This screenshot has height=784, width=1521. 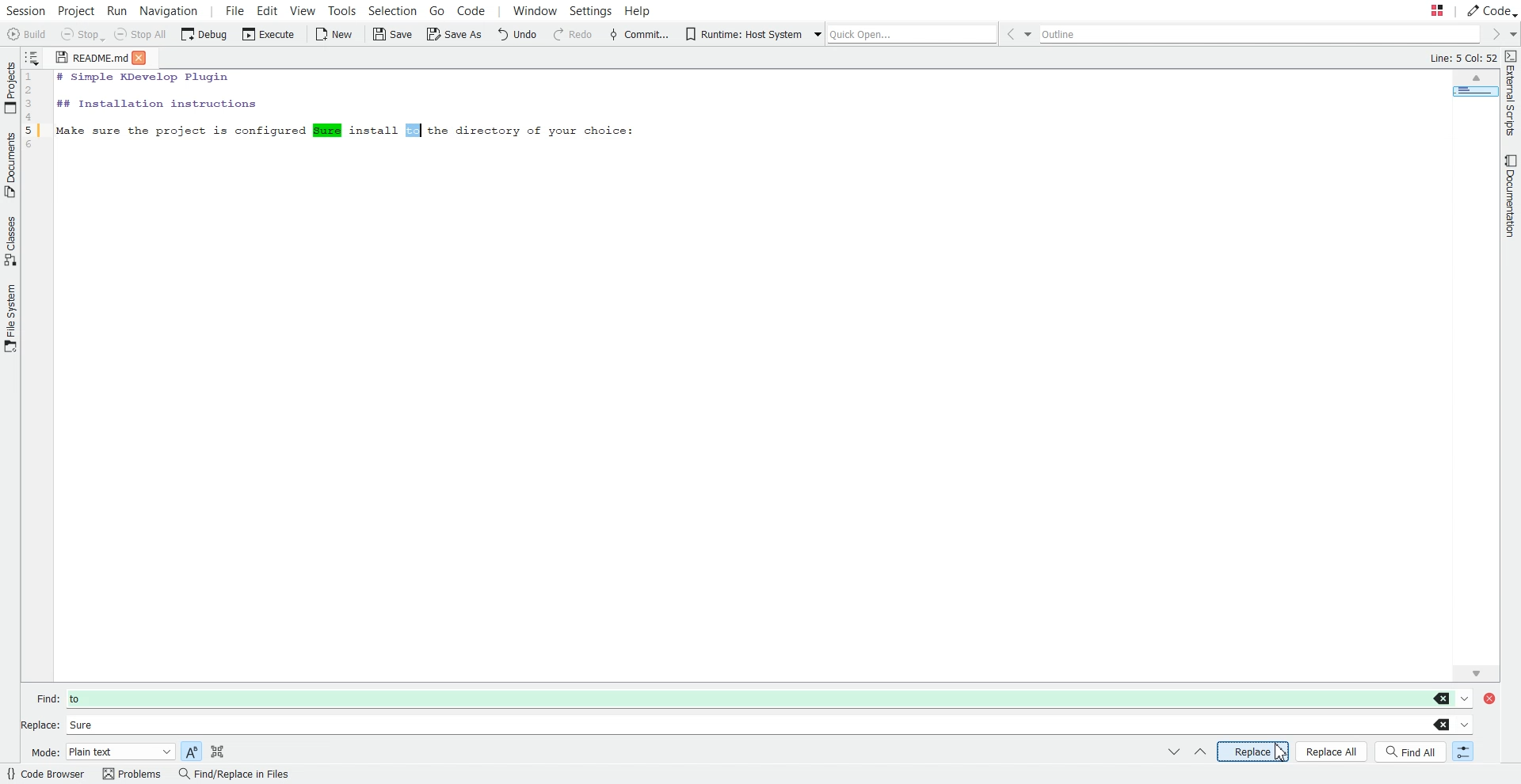 I want to click on ## Installation instructions, so click(x=155, y=103).